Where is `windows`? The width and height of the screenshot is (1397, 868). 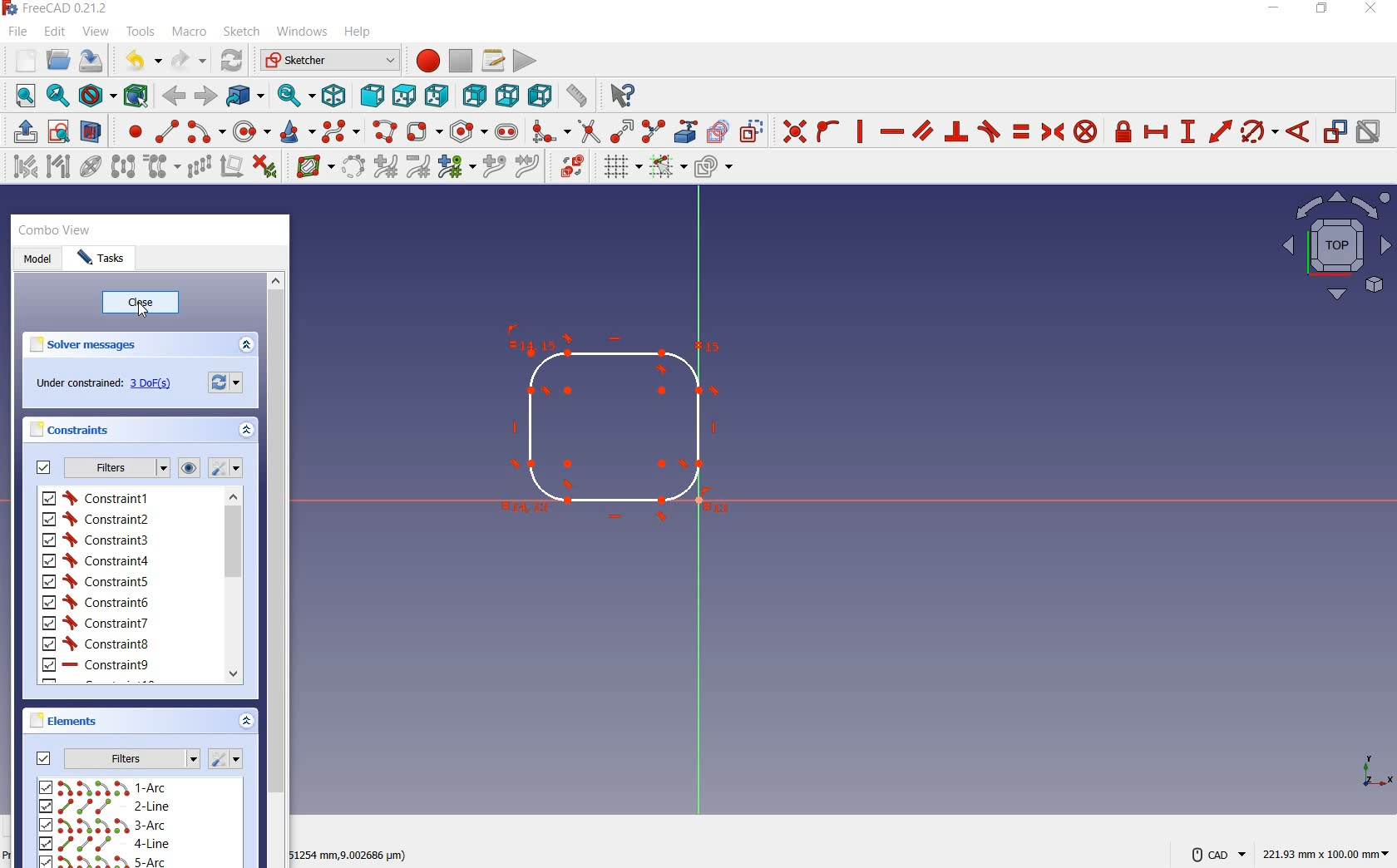 windows is located at coordinates (301, 32).